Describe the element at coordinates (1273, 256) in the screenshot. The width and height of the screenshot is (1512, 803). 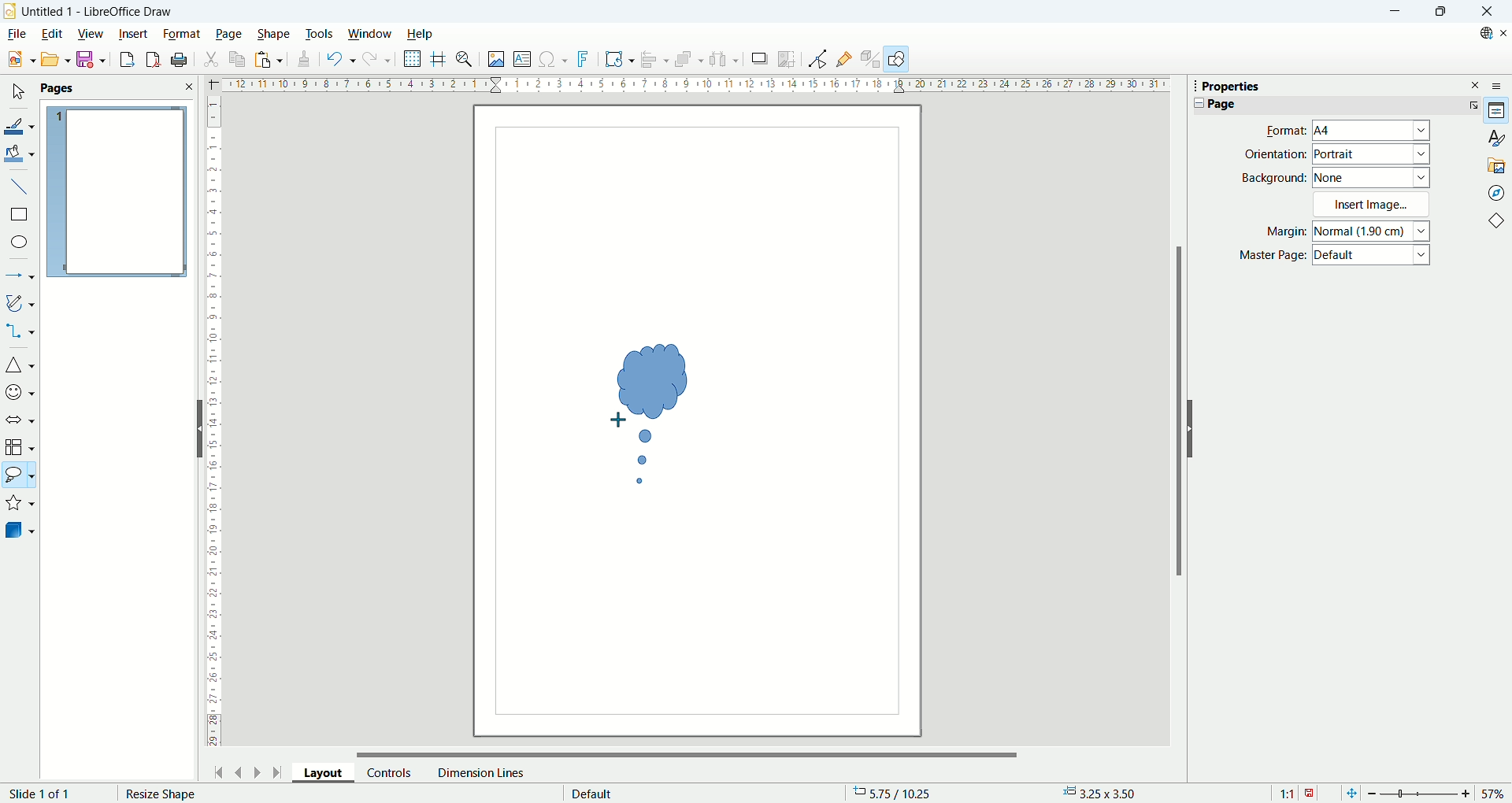
I see `Master Page` at that location.